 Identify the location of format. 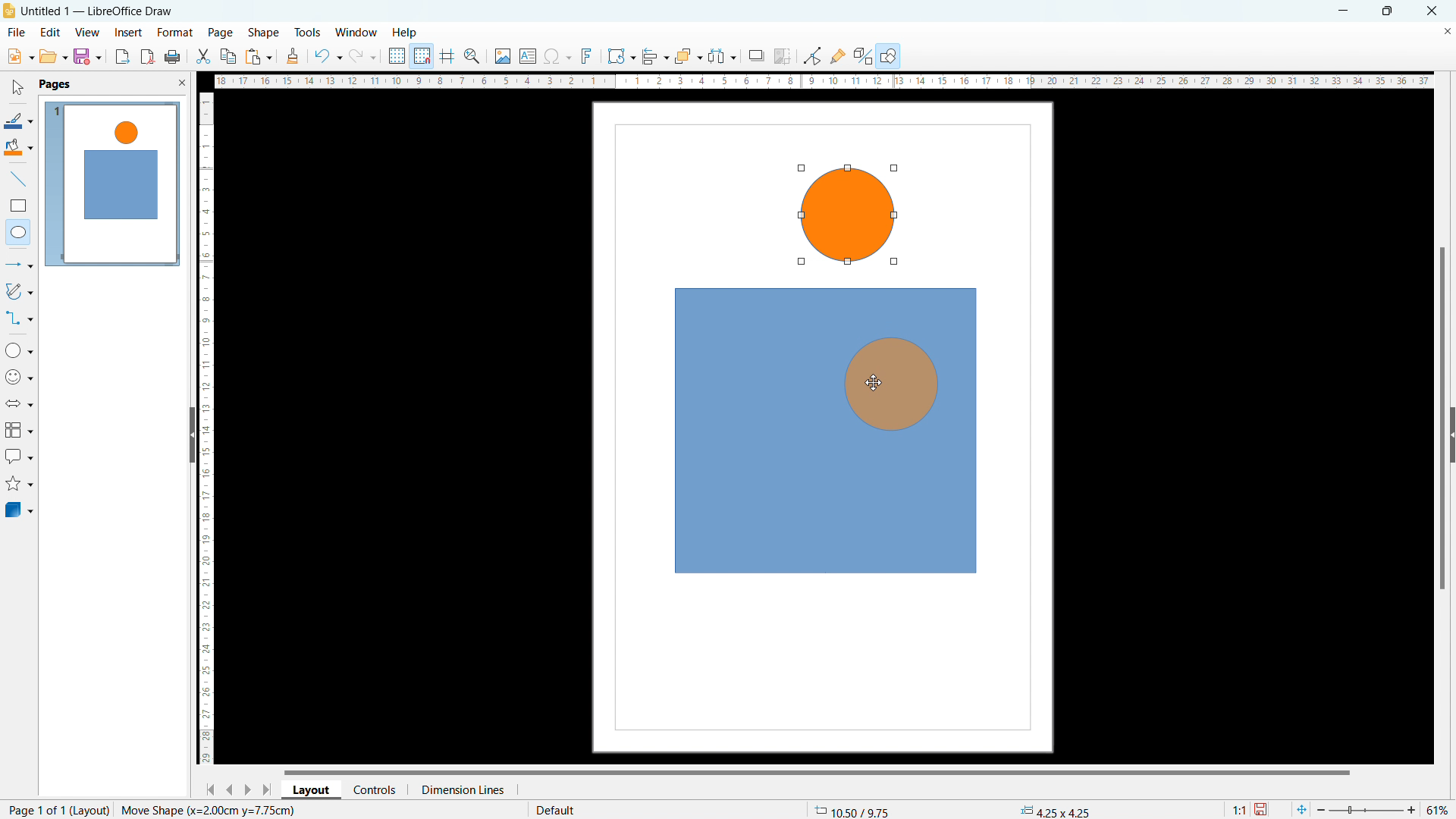
(174, 33).